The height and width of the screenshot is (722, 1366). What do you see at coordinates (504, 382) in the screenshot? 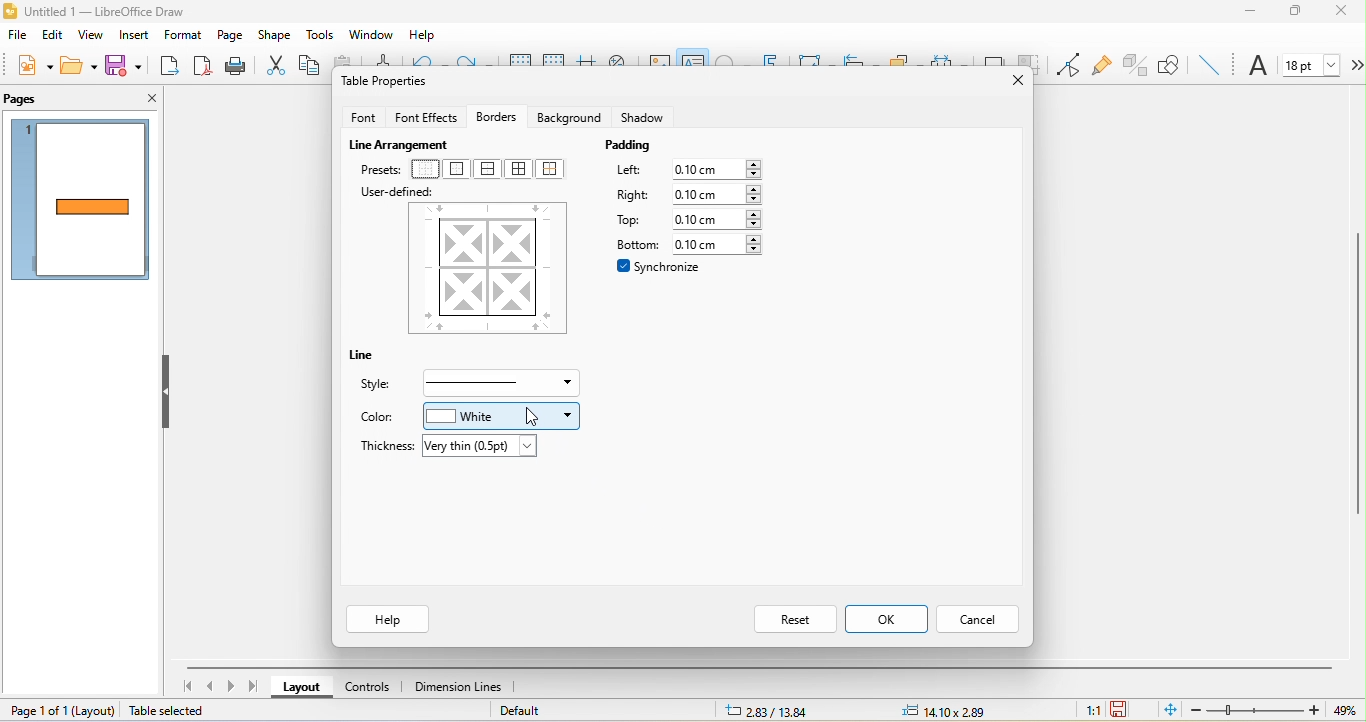
I see `border style` at bounding box center [504, 382].